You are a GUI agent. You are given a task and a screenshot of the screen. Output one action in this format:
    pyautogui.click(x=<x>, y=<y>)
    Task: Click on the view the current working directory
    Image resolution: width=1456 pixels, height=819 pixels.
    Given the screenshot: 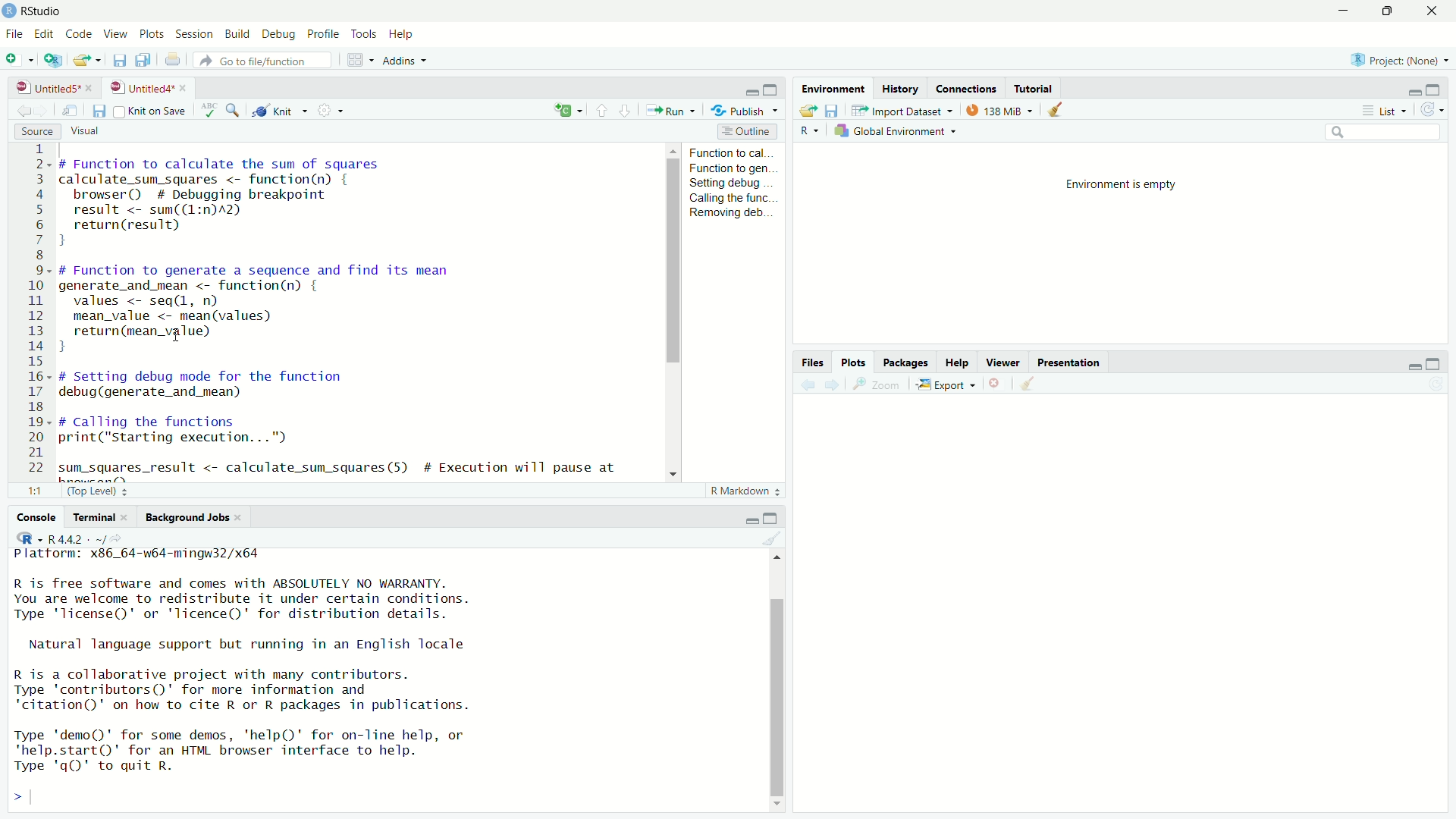 What is the action you would take?
    pyautogui.click(x=121, y=538)
    